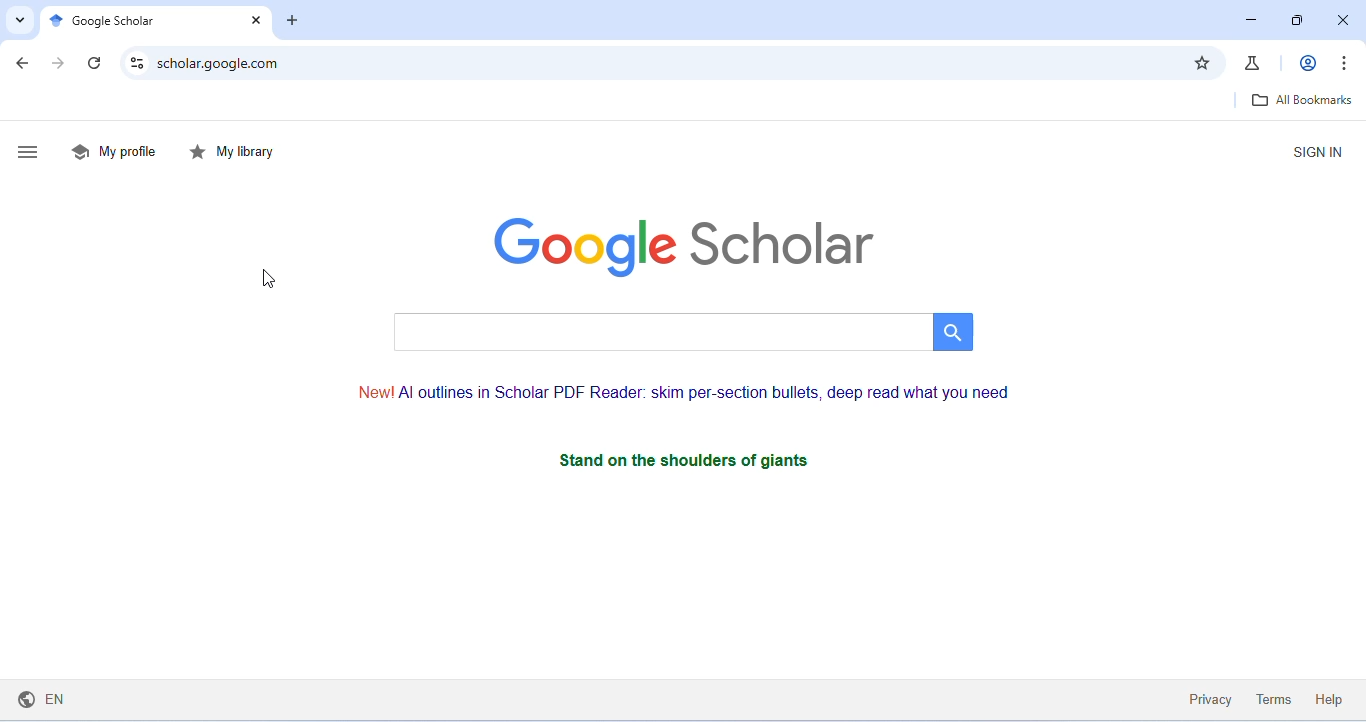 This screenshot has height=722, width=1366. What do you see at coordinates (48, 699) in the screenshot?
I see `english` at bounding box center [48, 699].